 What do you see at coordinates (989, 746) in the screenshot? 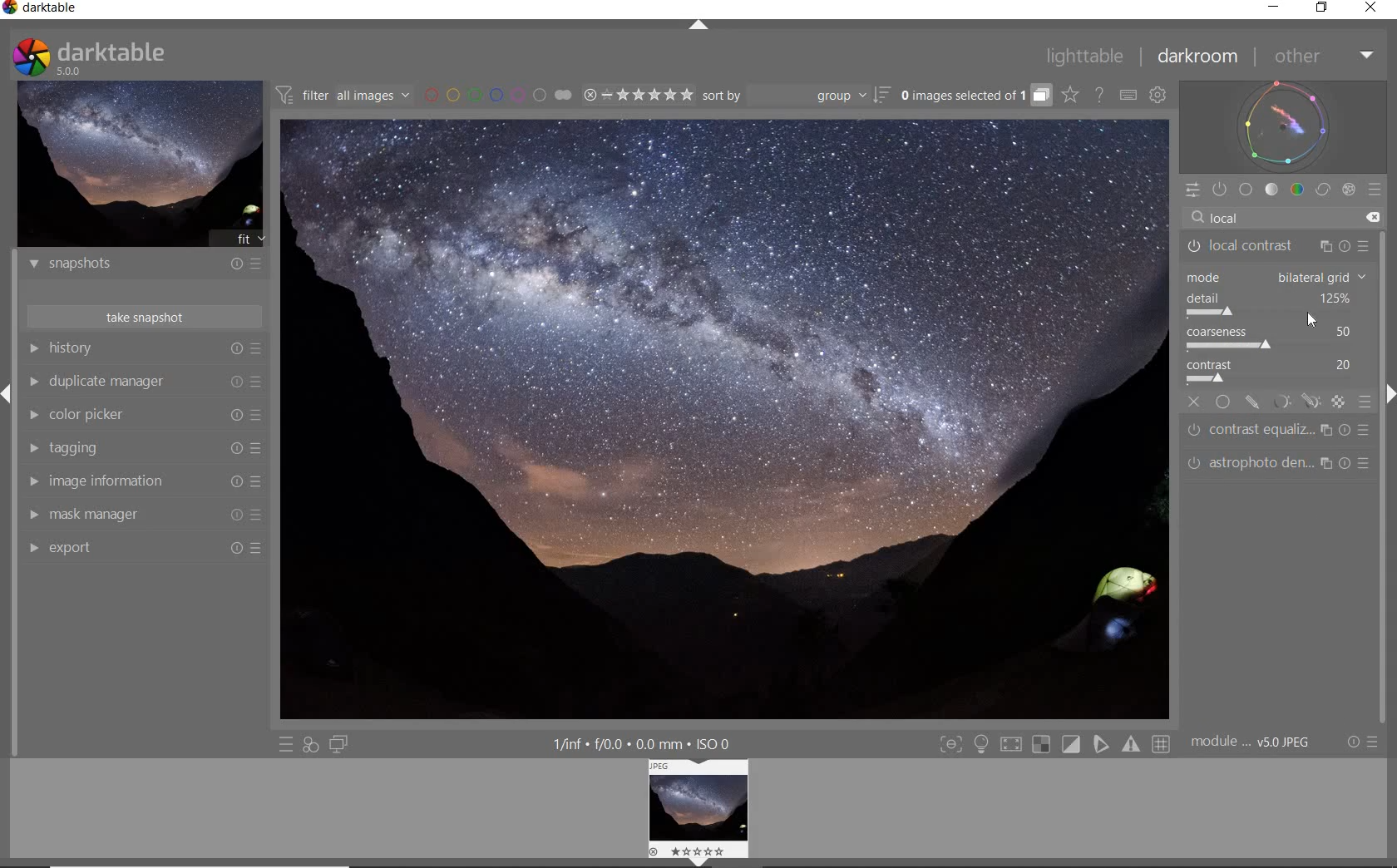
I see `toggle ISO 12646 color assessment conditions` at bounding box center [989, 746].